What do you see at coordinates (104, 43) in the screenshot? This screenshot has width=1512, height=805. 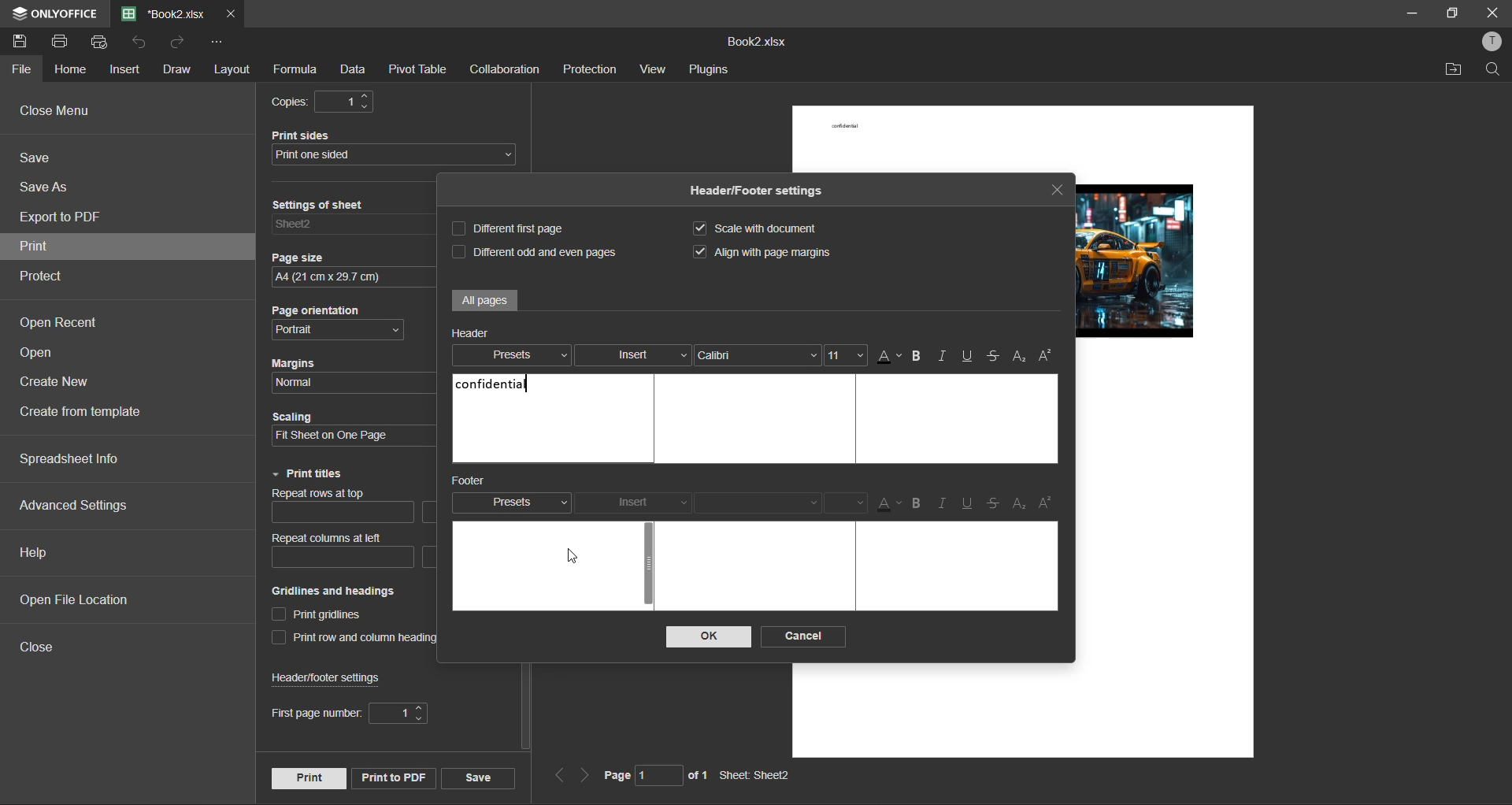 I see `quick print` at bounding box center [104, 43].